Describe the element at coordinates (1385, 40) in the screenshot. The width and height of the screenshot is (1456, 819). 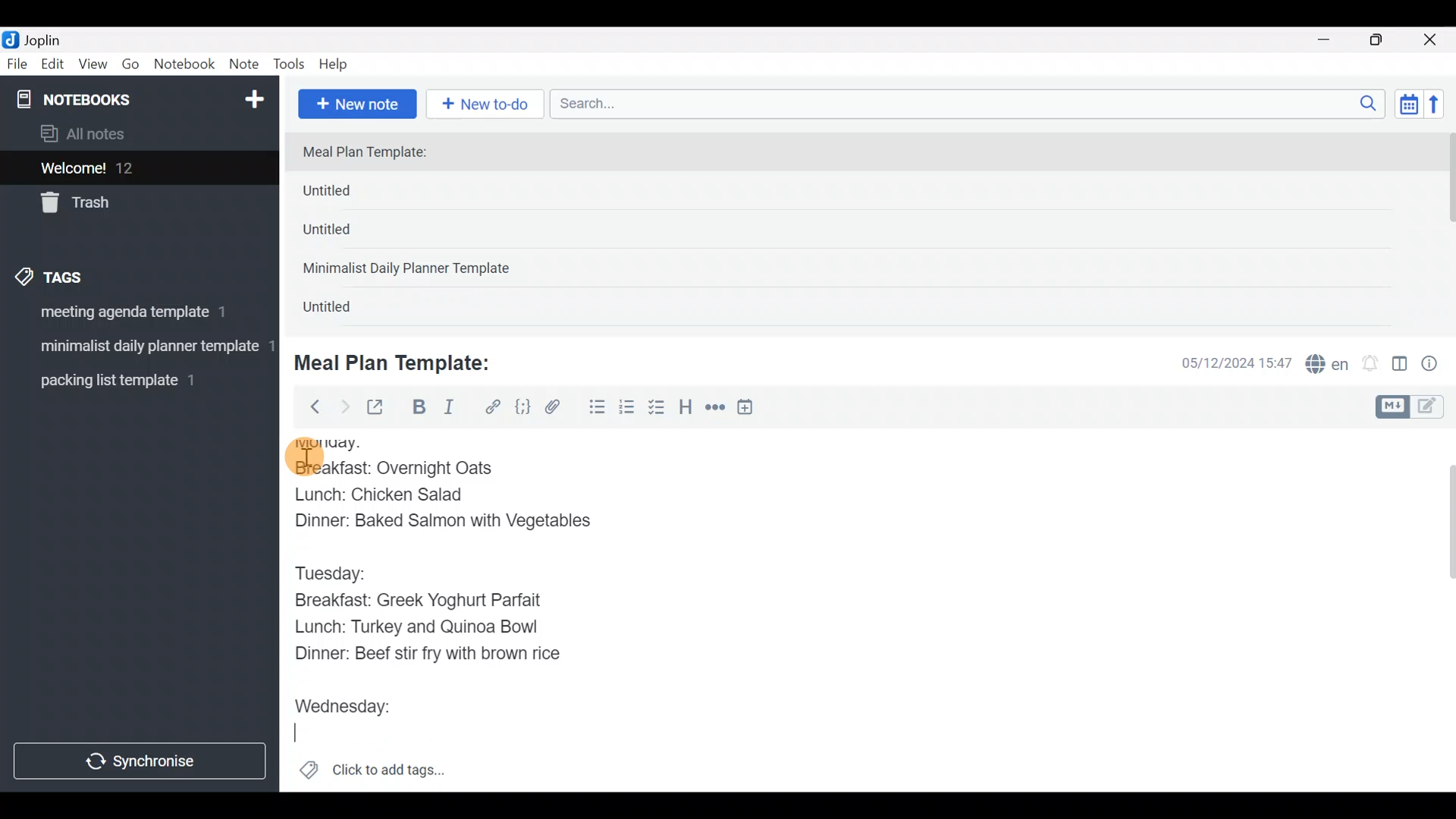
I see `Maximize` at that location.